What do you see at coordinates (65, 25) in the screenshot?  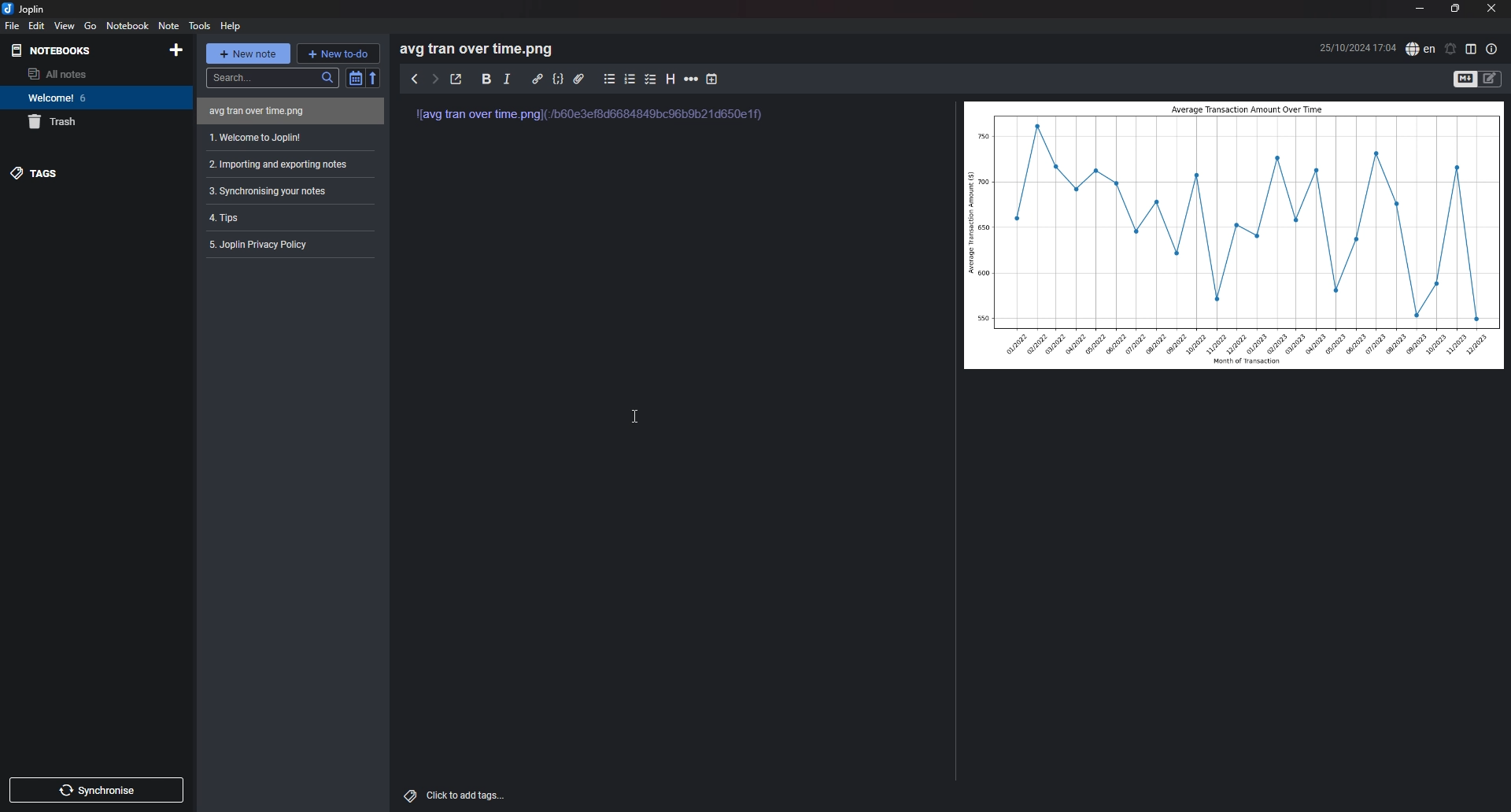 I see `view` at bounding box center [65, 25].